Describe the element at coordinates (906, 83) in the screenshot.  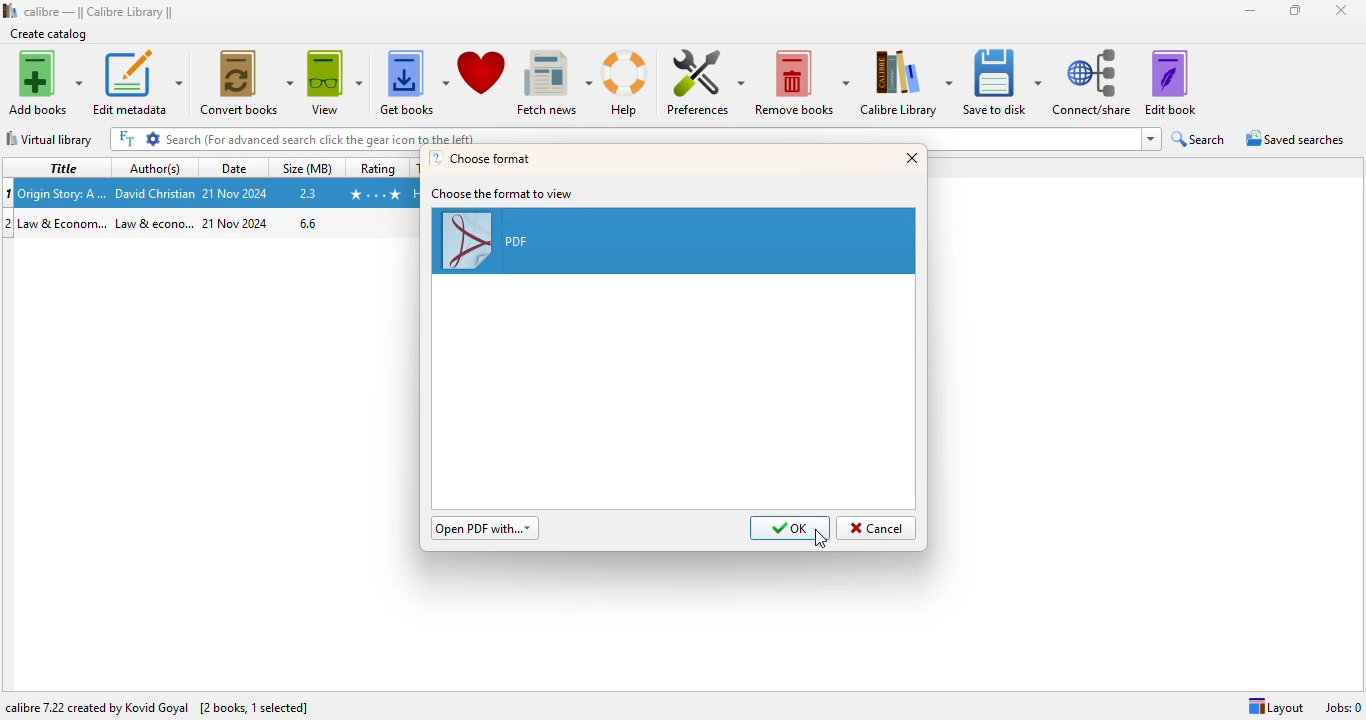
I see `calibre library` at that location.